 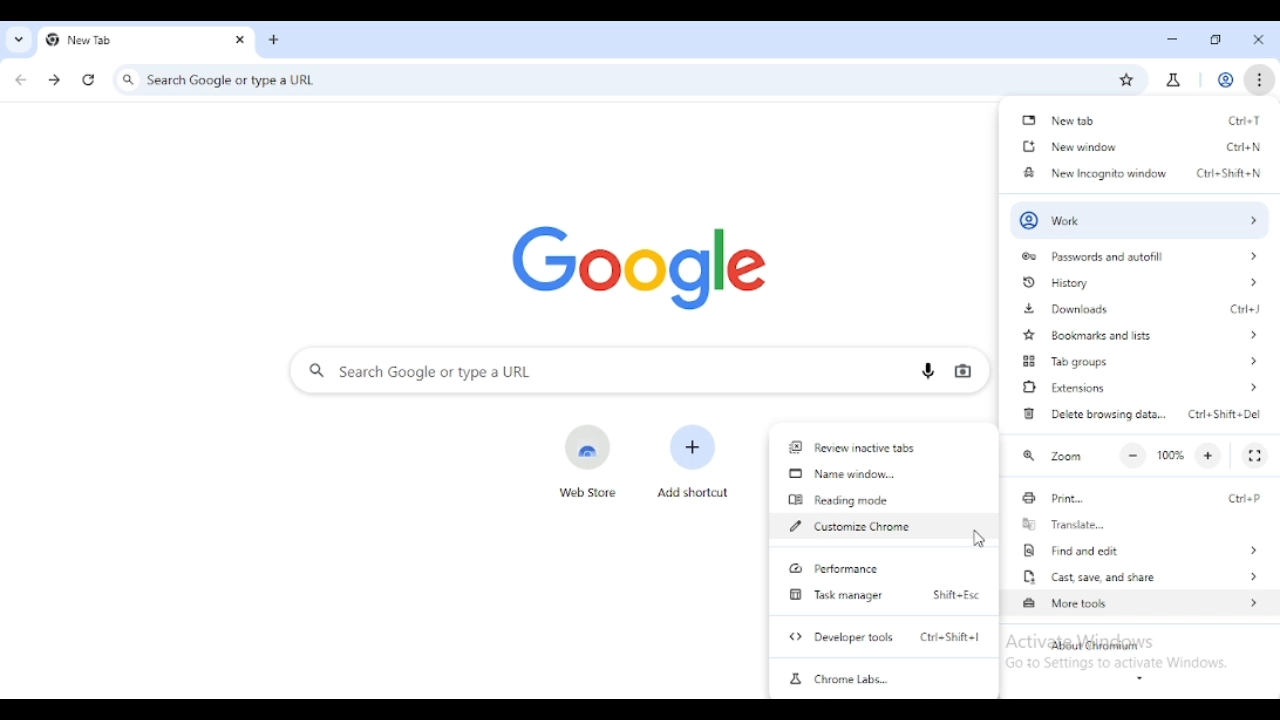 What do you see at coordinates (1140, 388) in the screenshot?
I see `extensions` at bounding box center [1140, 388].